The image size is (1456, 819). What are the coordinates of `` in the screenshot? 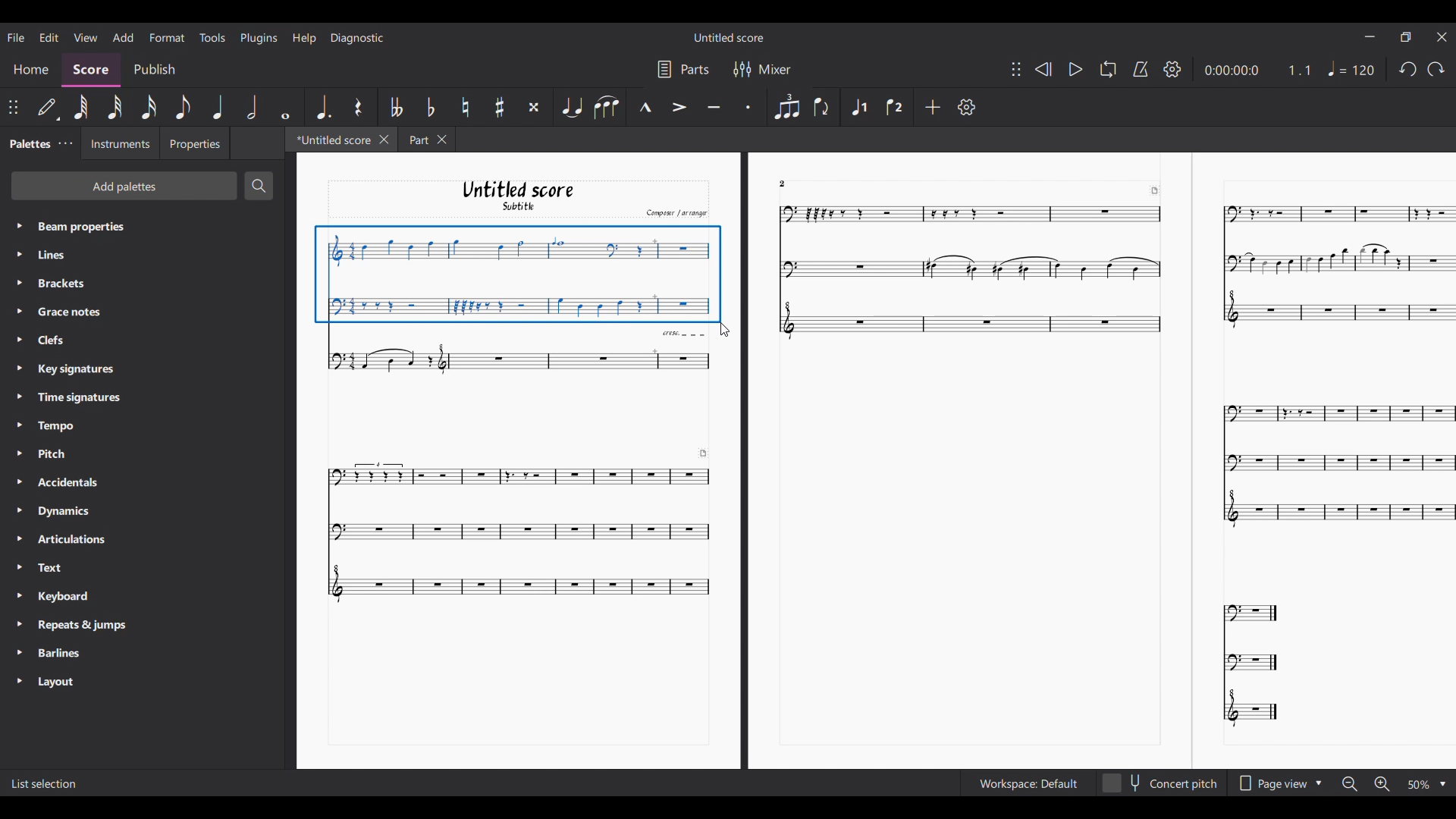 It's located at (522, 531).